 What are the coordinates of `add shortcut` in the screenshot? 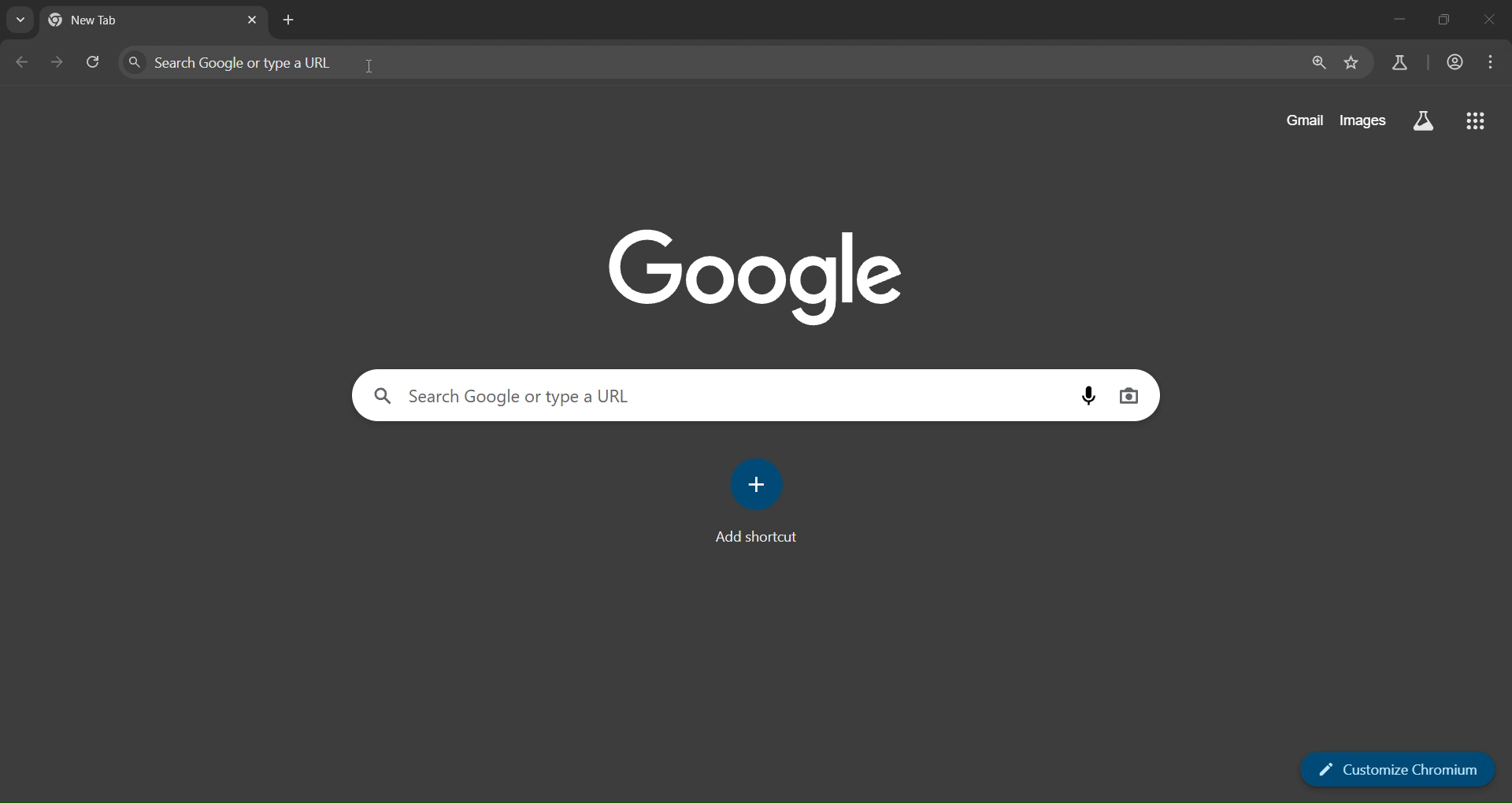 It's located at (757, 502).